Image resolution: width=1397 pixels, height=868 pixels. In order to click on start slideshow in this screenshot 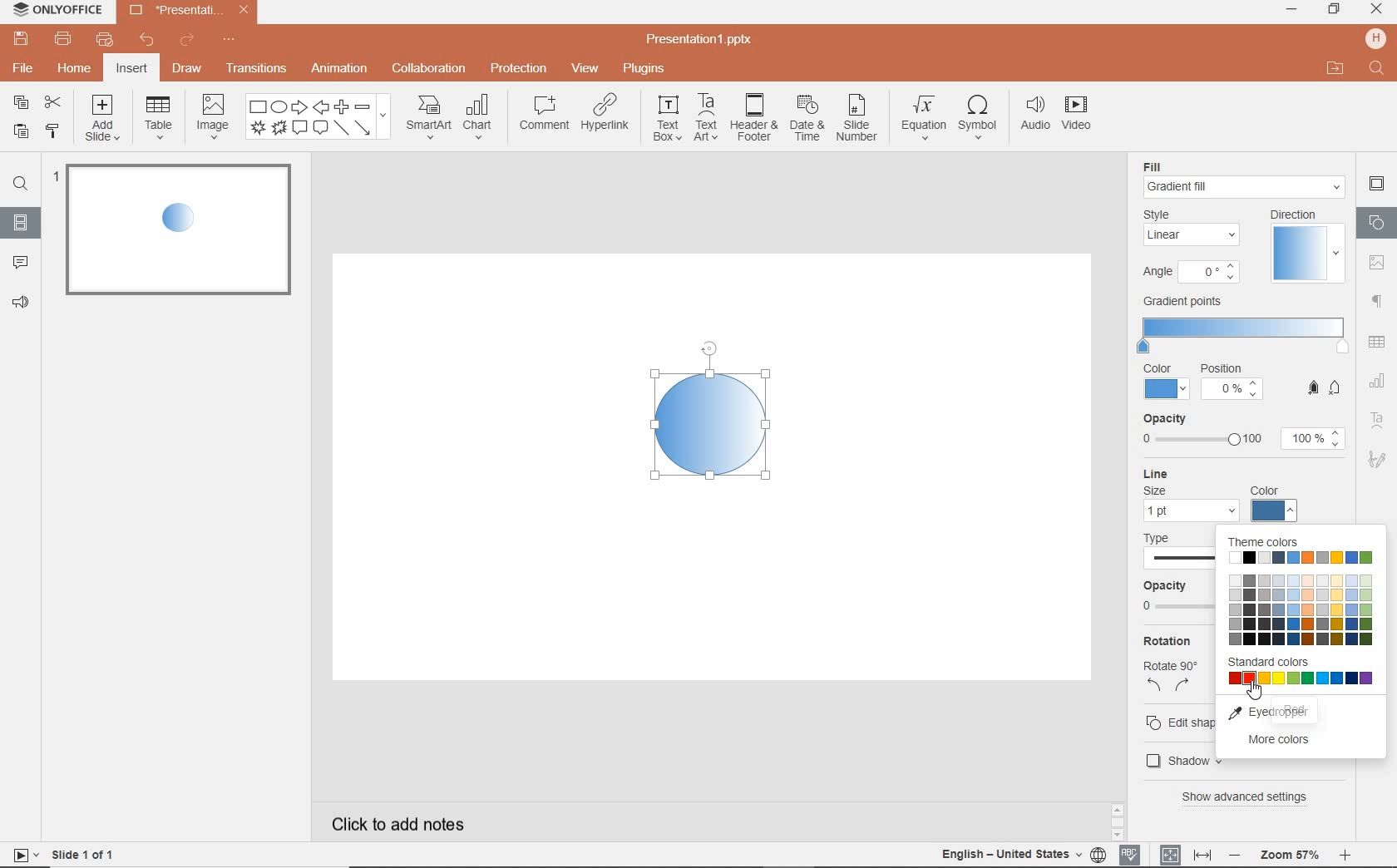, I will do `click(22, 855)`.